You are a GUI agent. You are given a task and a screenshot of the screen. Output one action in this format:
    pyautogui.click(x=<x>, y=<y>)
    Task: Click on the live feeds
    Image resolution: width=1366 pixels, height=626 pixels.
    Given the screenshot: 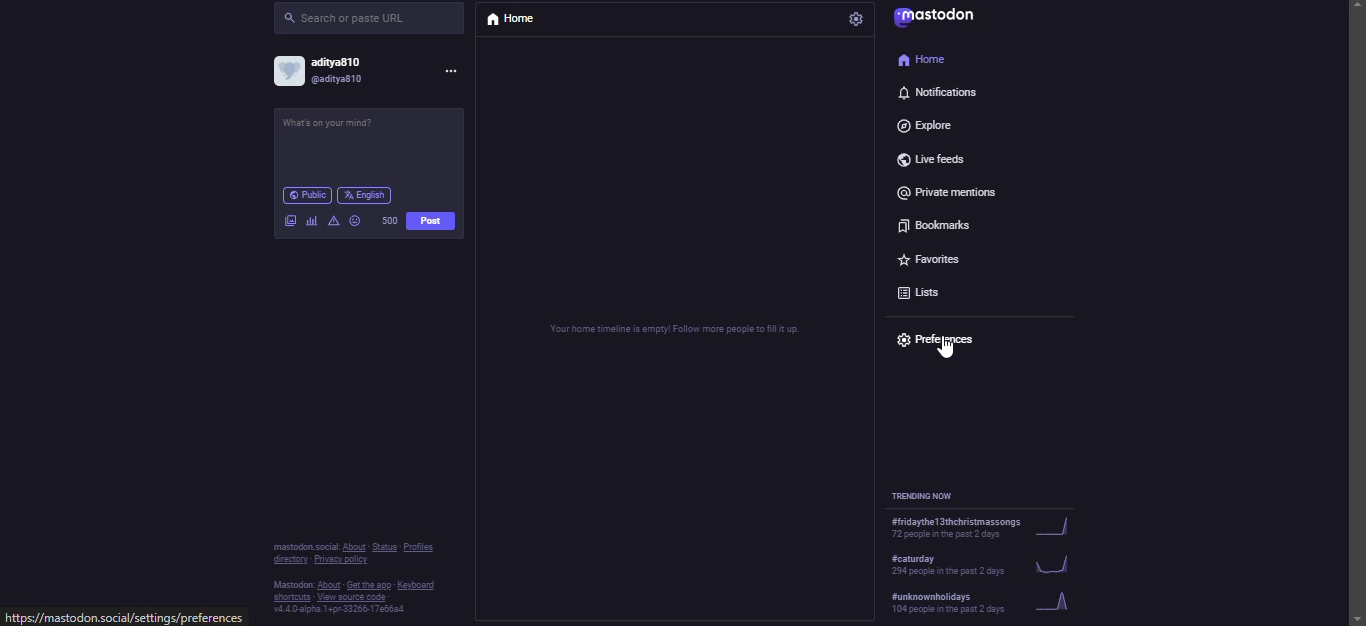 What is the action you would take?
    pyautogui.click(x=929, y=157)
    